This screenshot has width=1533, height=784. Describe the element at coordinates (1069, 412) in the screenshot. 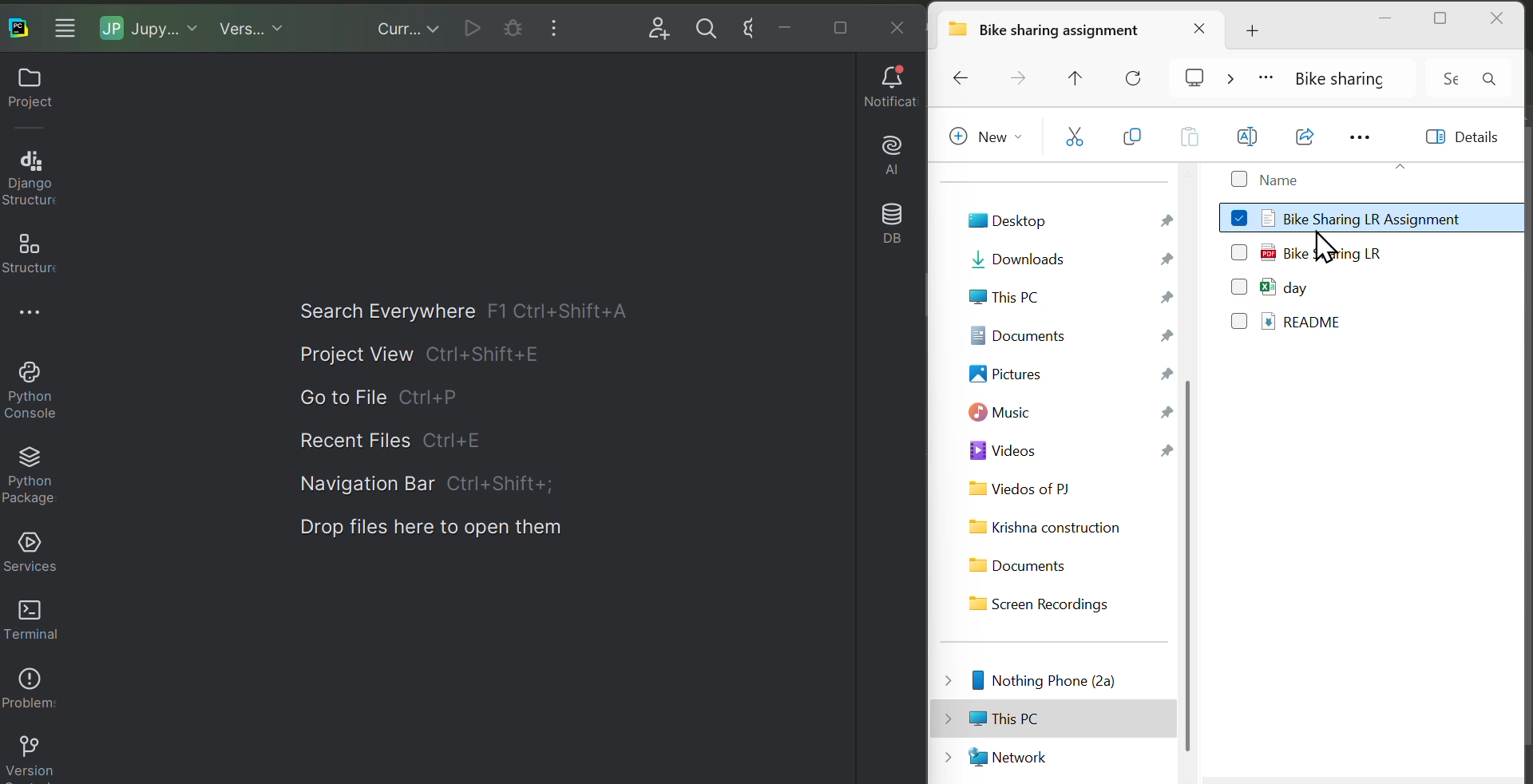

I see `Music` at that location.